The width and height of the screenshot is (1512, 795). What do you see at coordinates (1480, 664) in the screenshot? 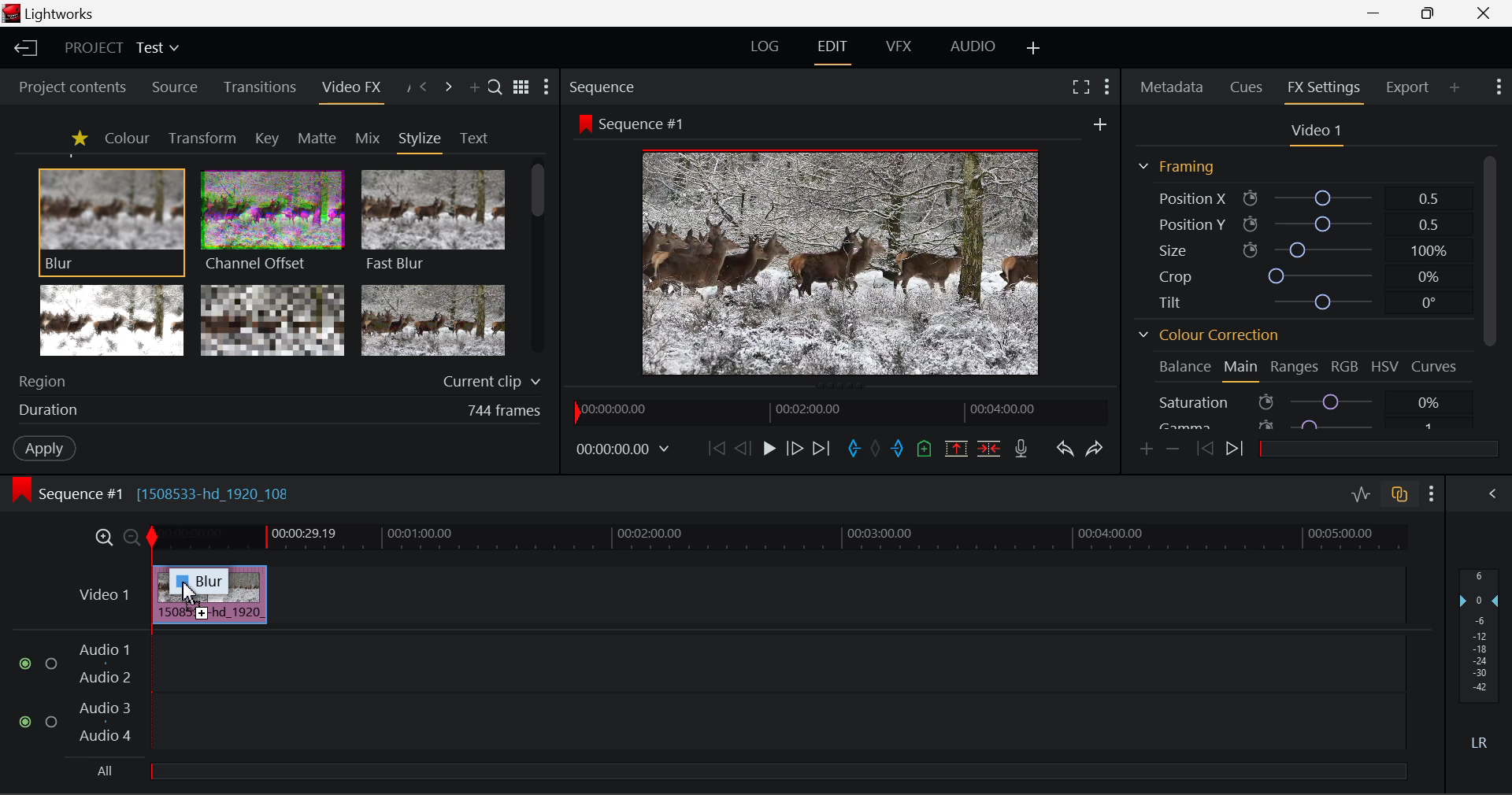
I see `Decibel Level` at bounding box center [1480, 664].